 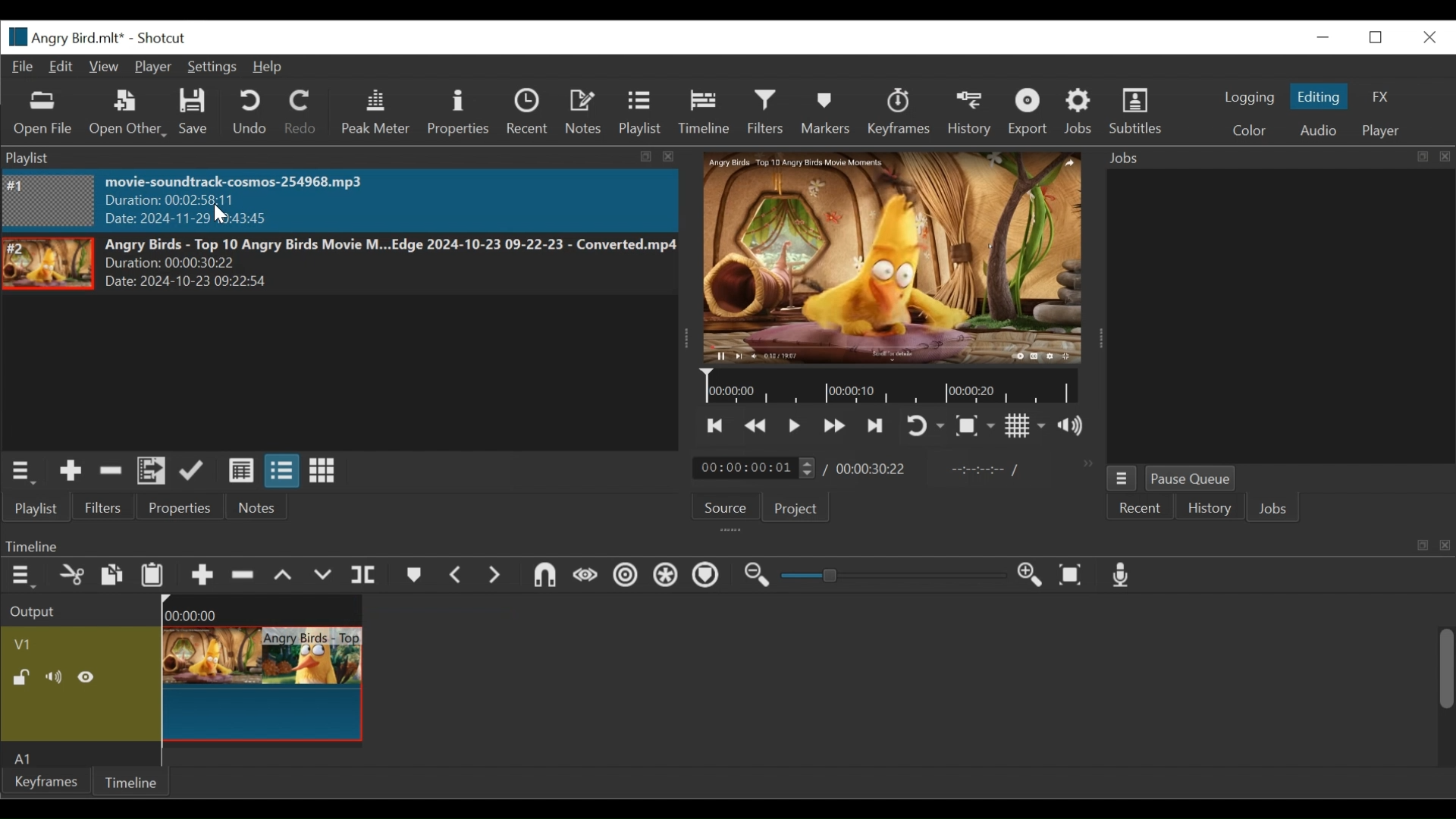 I want to click on View, so click(x=104, y=66).